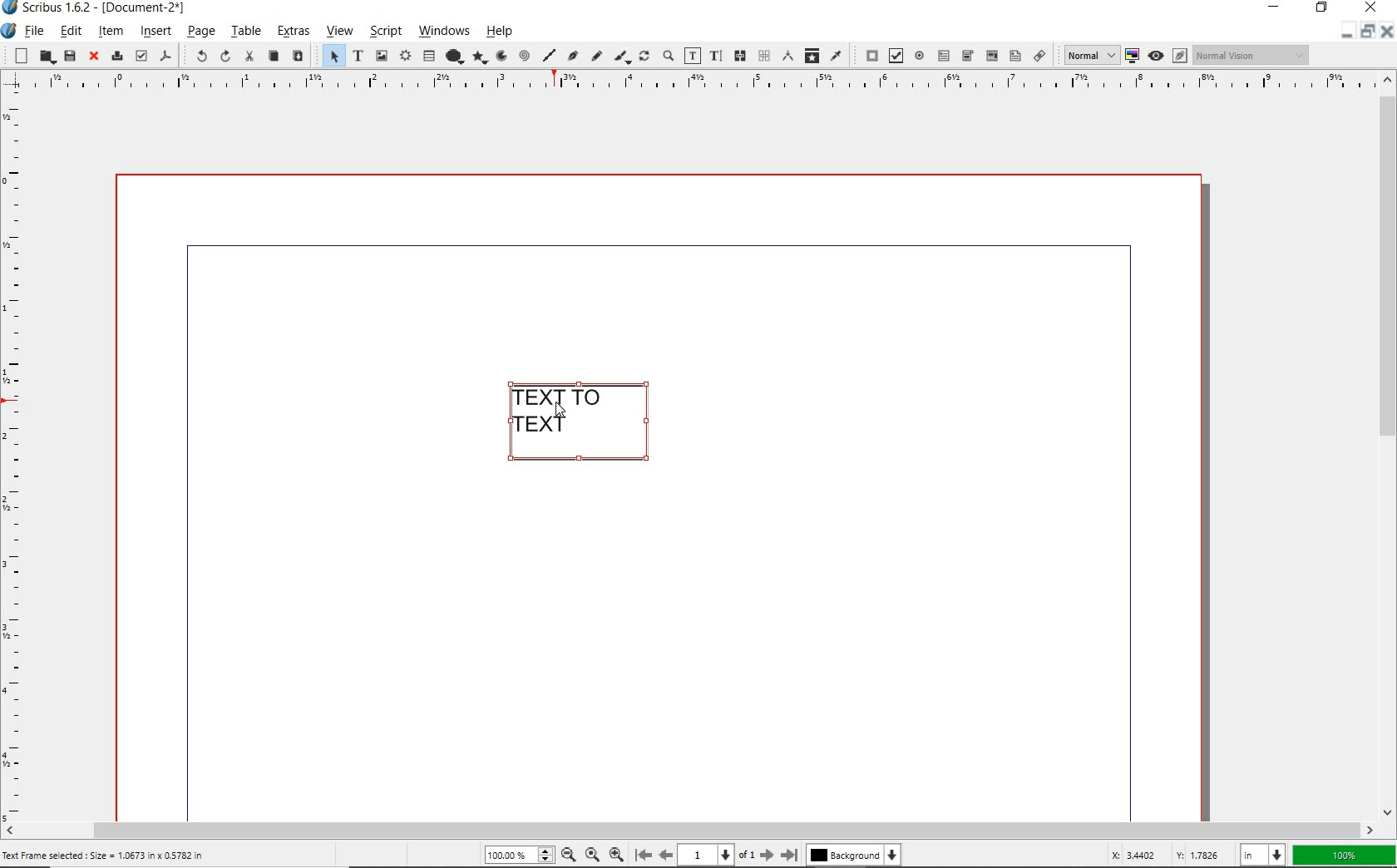 This screenshot has height=868, width=1397. What do you see at coordinates (595, 855) in the screenshot?
I see `zoom to` at bounding box center [595, 855].